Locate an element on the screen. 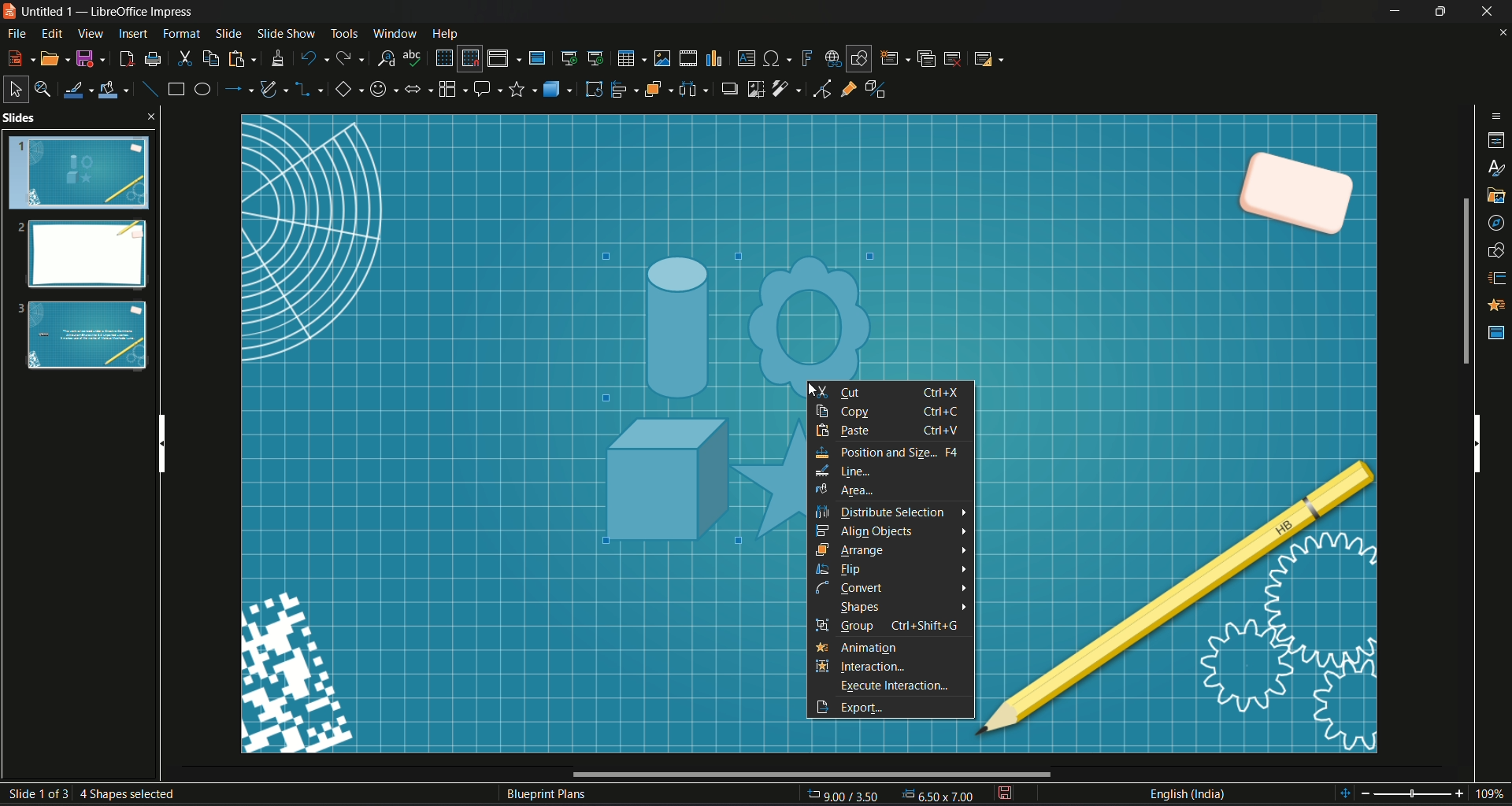 The height and width of the screenshot is (806, 1512). Page Dimensions is located at coordinates (892, 796).